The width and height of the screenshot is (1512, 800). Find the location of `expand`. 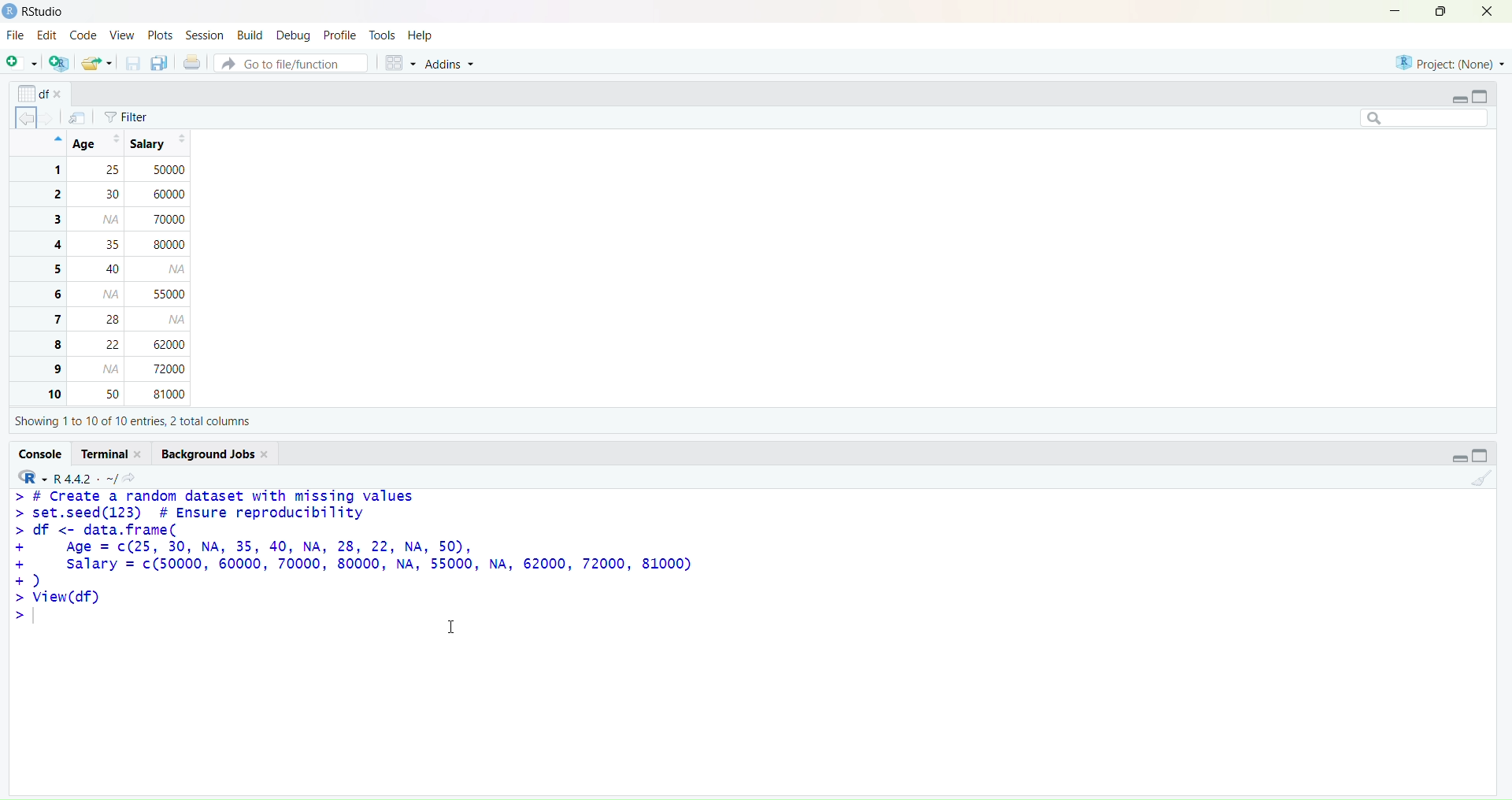

expand is located at coordinates (1454, 457).